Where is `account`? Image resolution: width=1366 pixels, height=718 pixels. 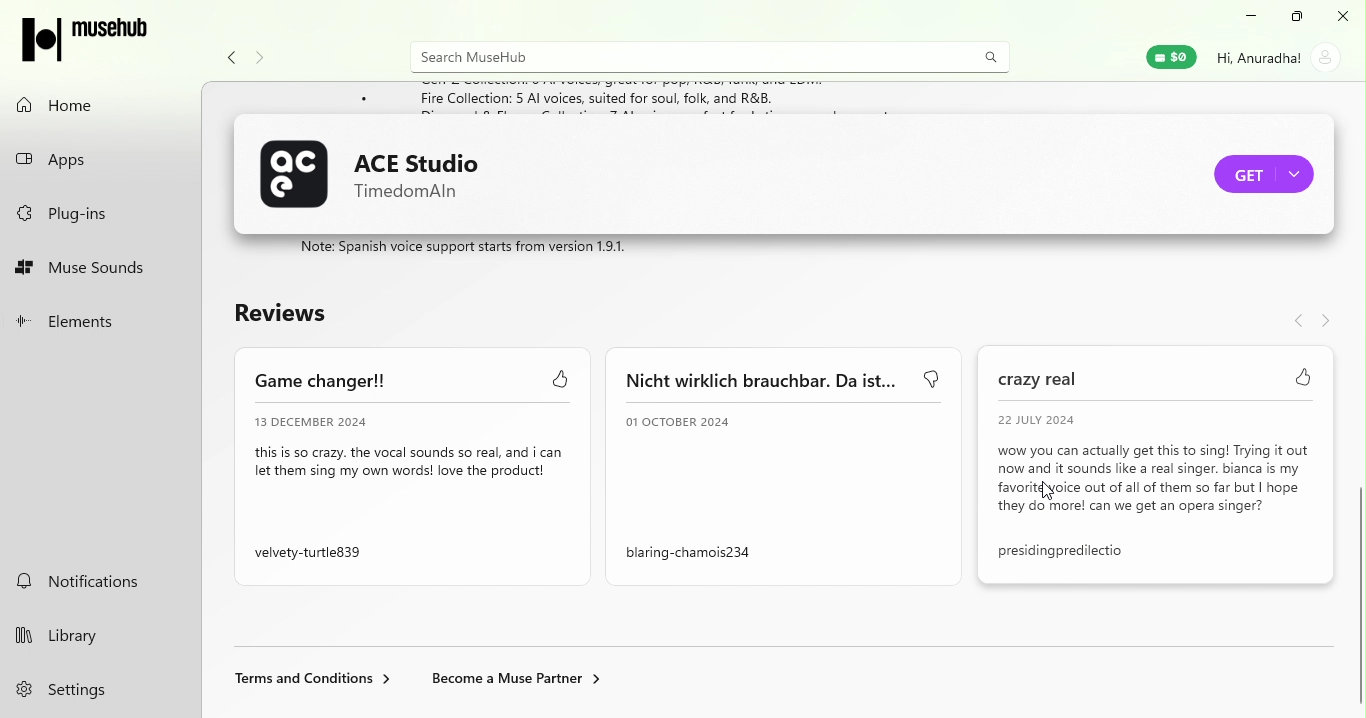
account is located at coordinates (1281, 63).